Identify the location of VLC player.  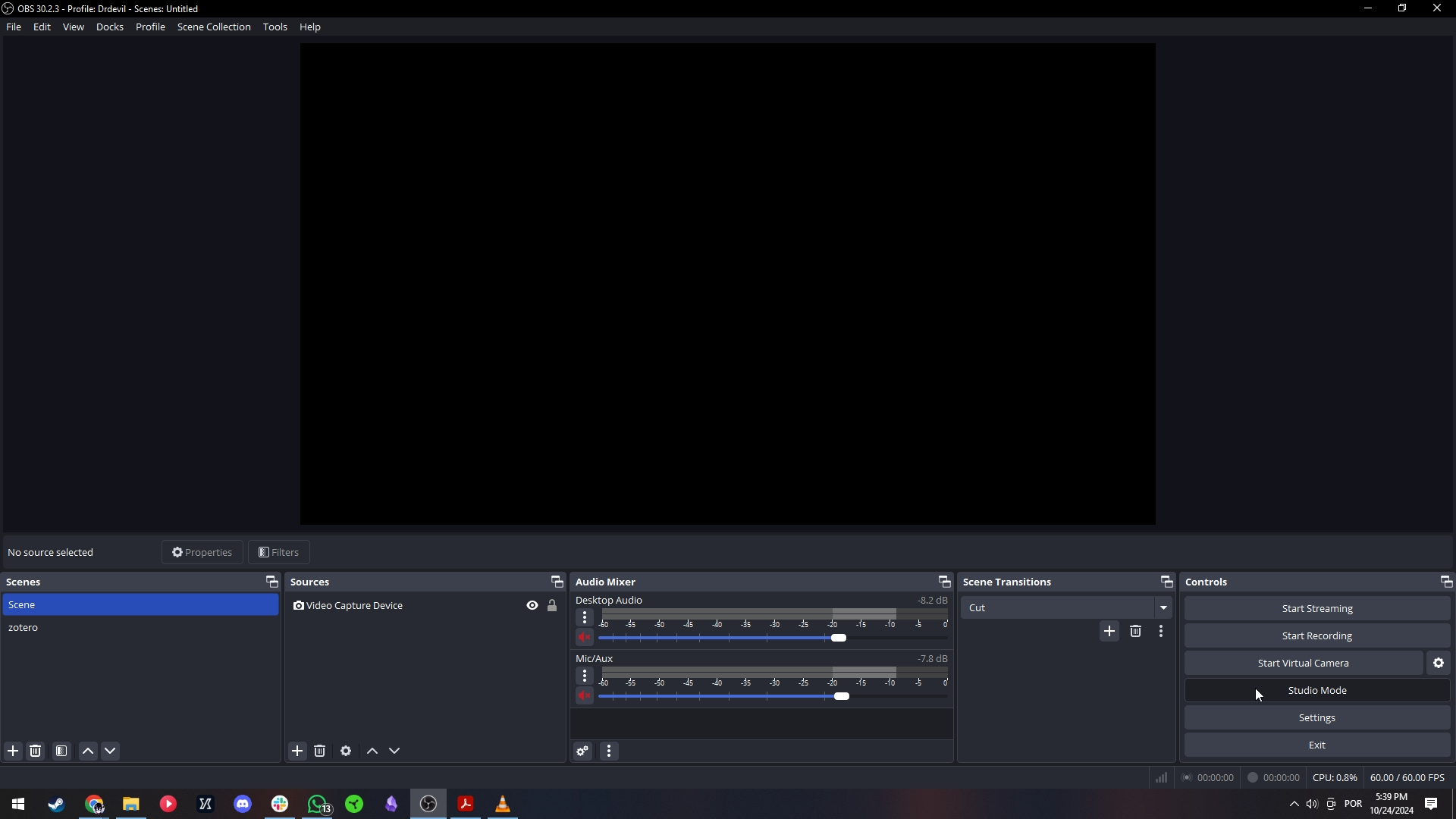
(503, 805).